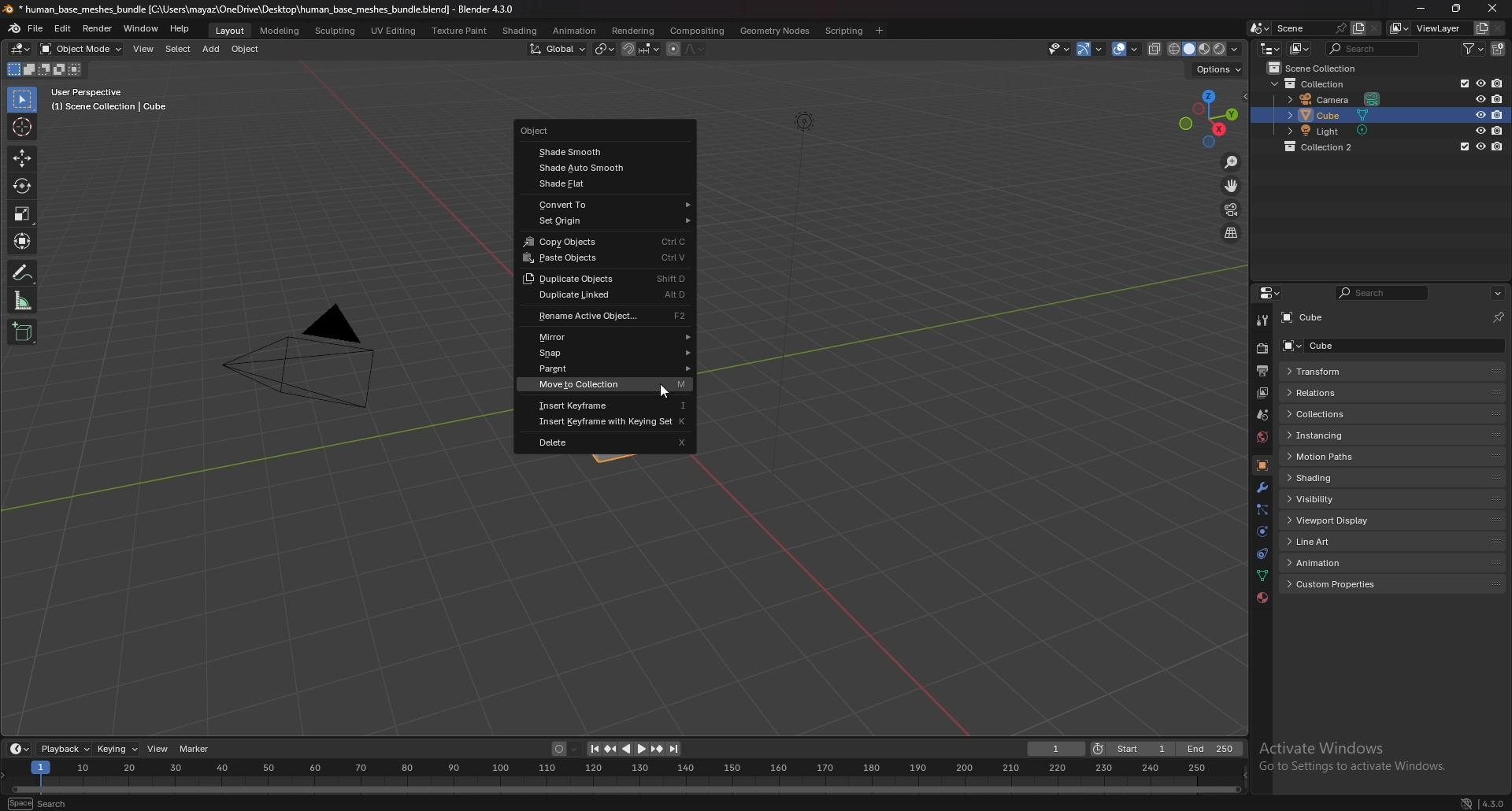  What do you see at coordinates (1499, 114) in the screenshot?
I see `disable in renders` at bounding box center [1499, 114].